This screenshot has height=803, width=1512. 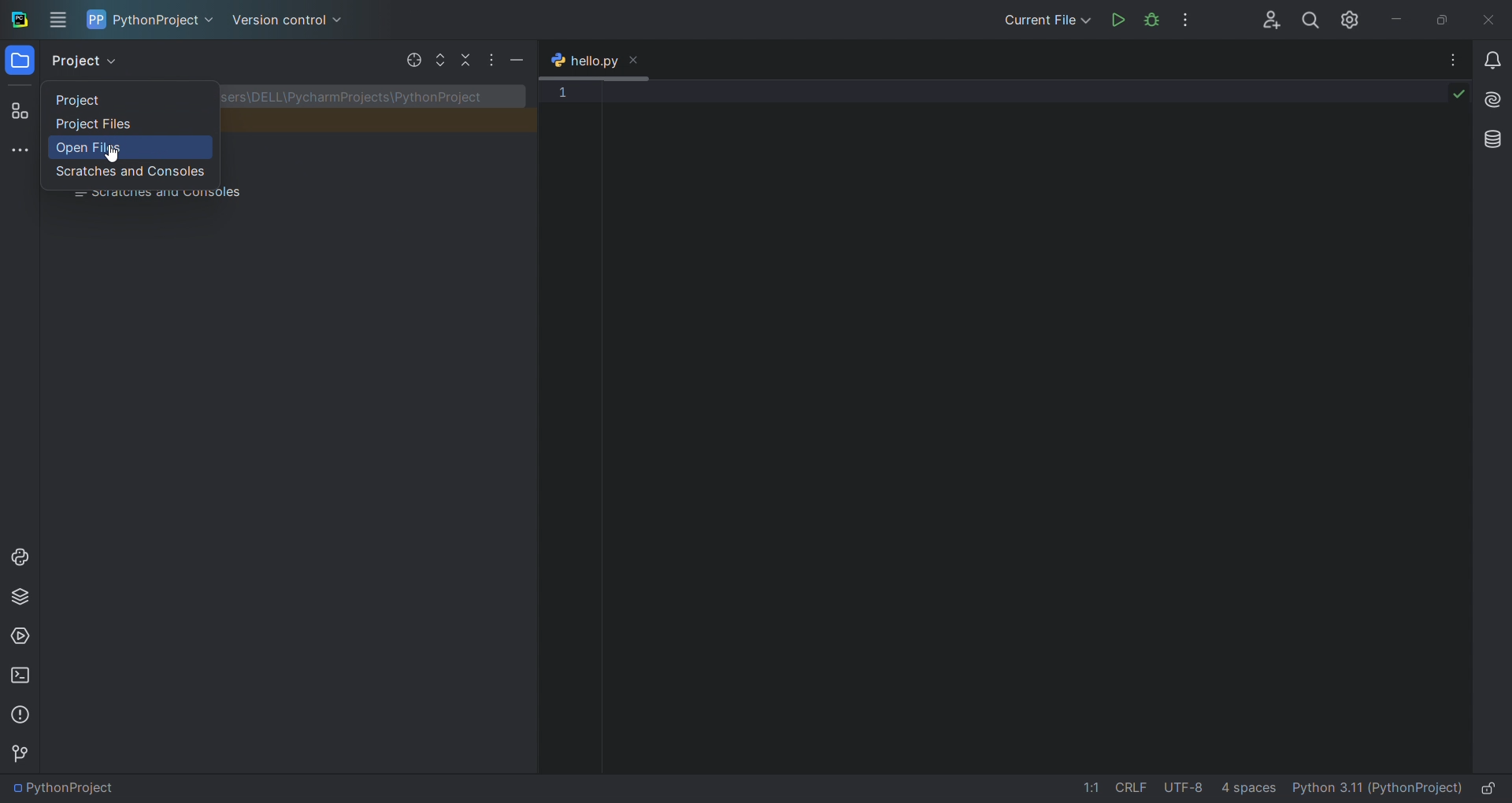 What do you see at coordinates (1490, 139) in the screenshot?
I see `database` at bounding box center [1490, 139].